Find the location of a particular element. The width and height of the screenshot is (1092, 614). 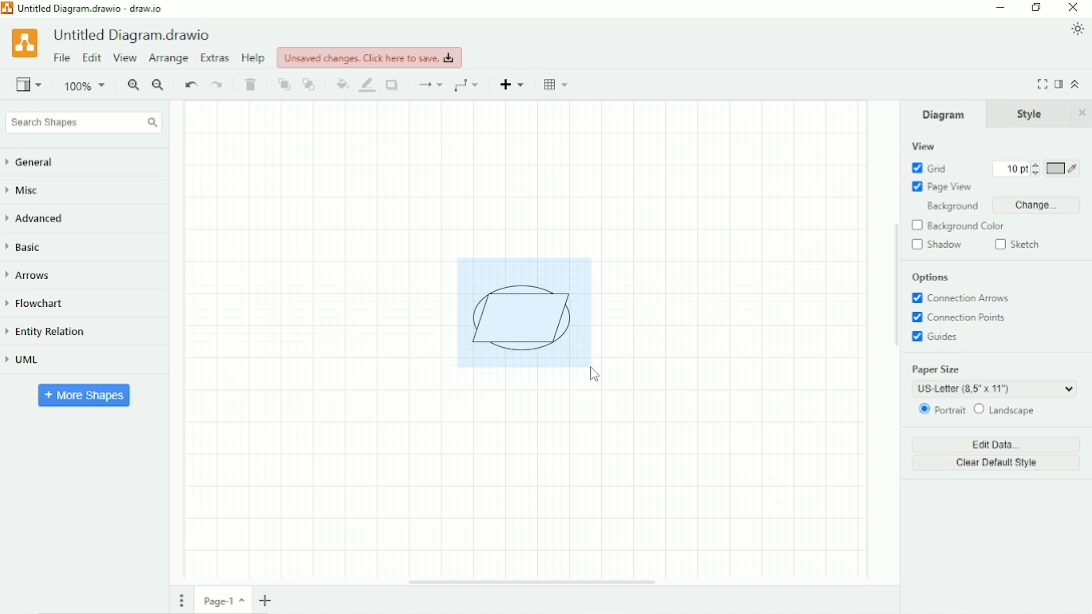

Diagram is located at coordinates (944, 114).